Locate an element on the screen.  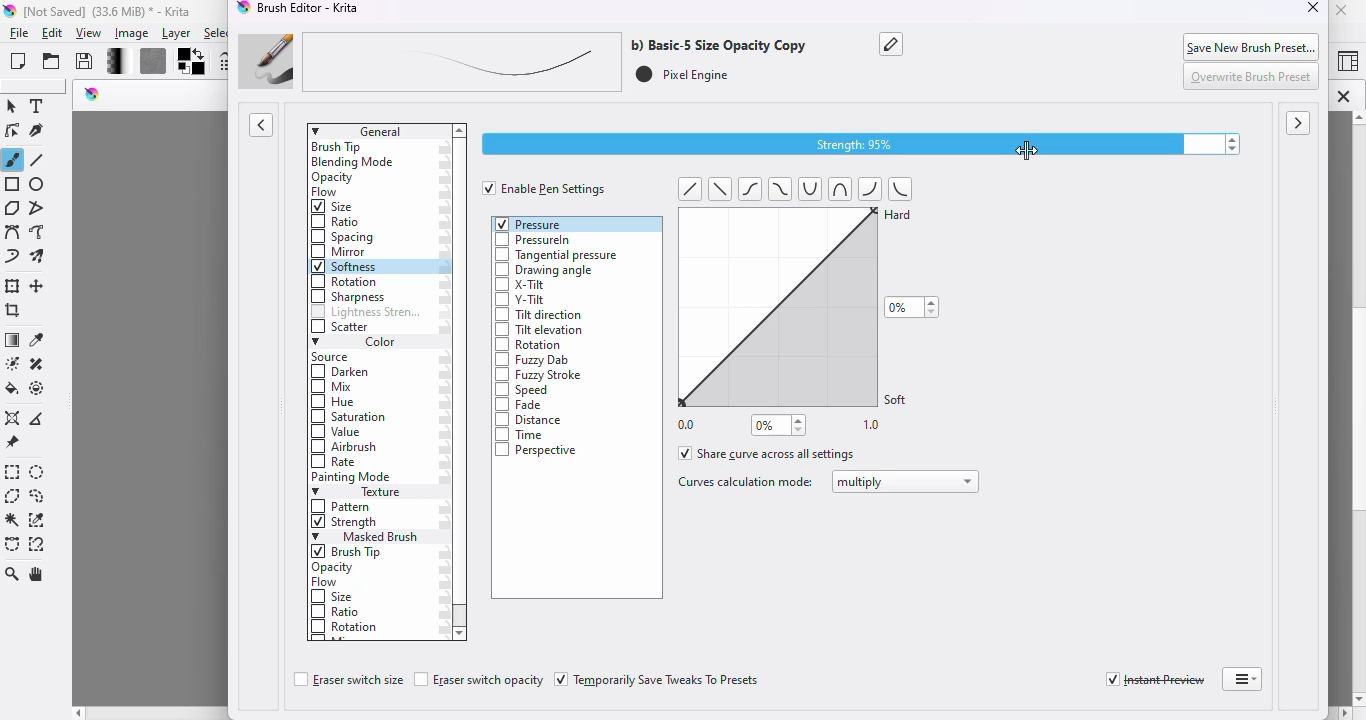
vertical scroll bar is located at coordinates (461, 616).